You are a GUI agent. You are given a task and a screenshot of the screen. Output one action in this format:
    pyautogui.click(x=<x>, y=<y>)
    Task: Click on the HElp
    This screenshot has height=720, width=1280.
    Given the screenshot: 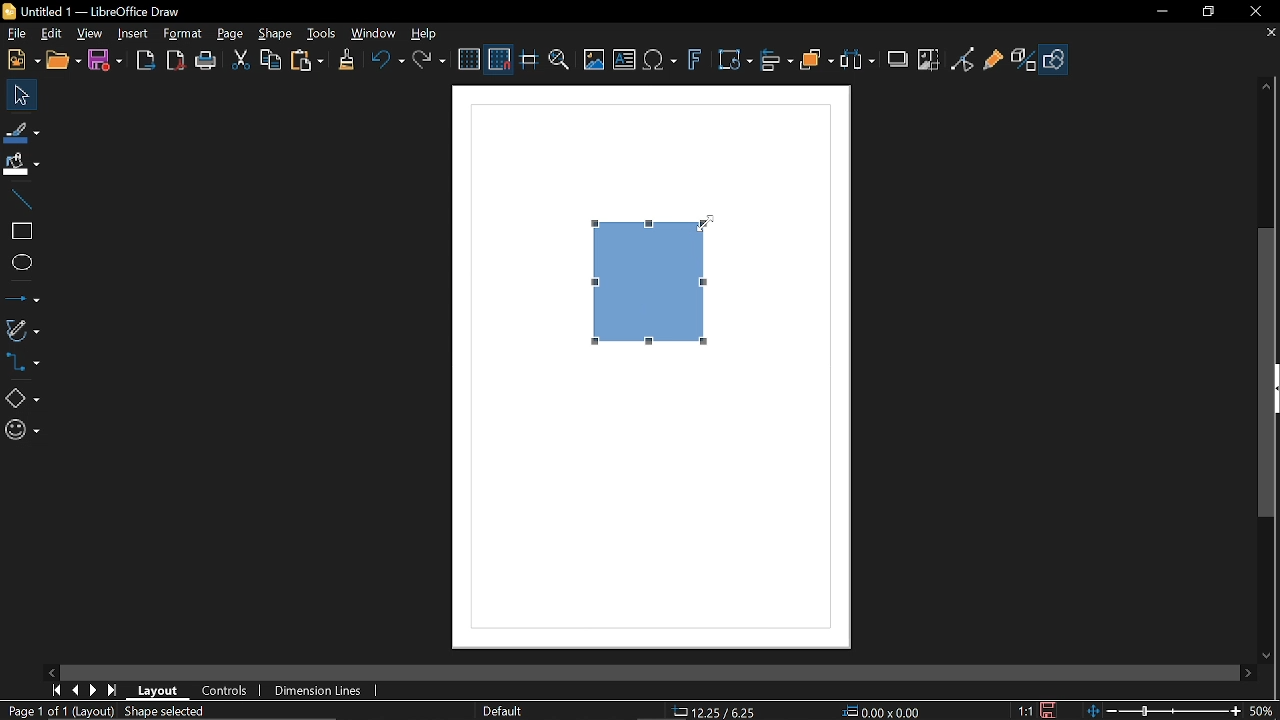 What is the action you would take?
    pyautogui.click(x=427, y=36)
    